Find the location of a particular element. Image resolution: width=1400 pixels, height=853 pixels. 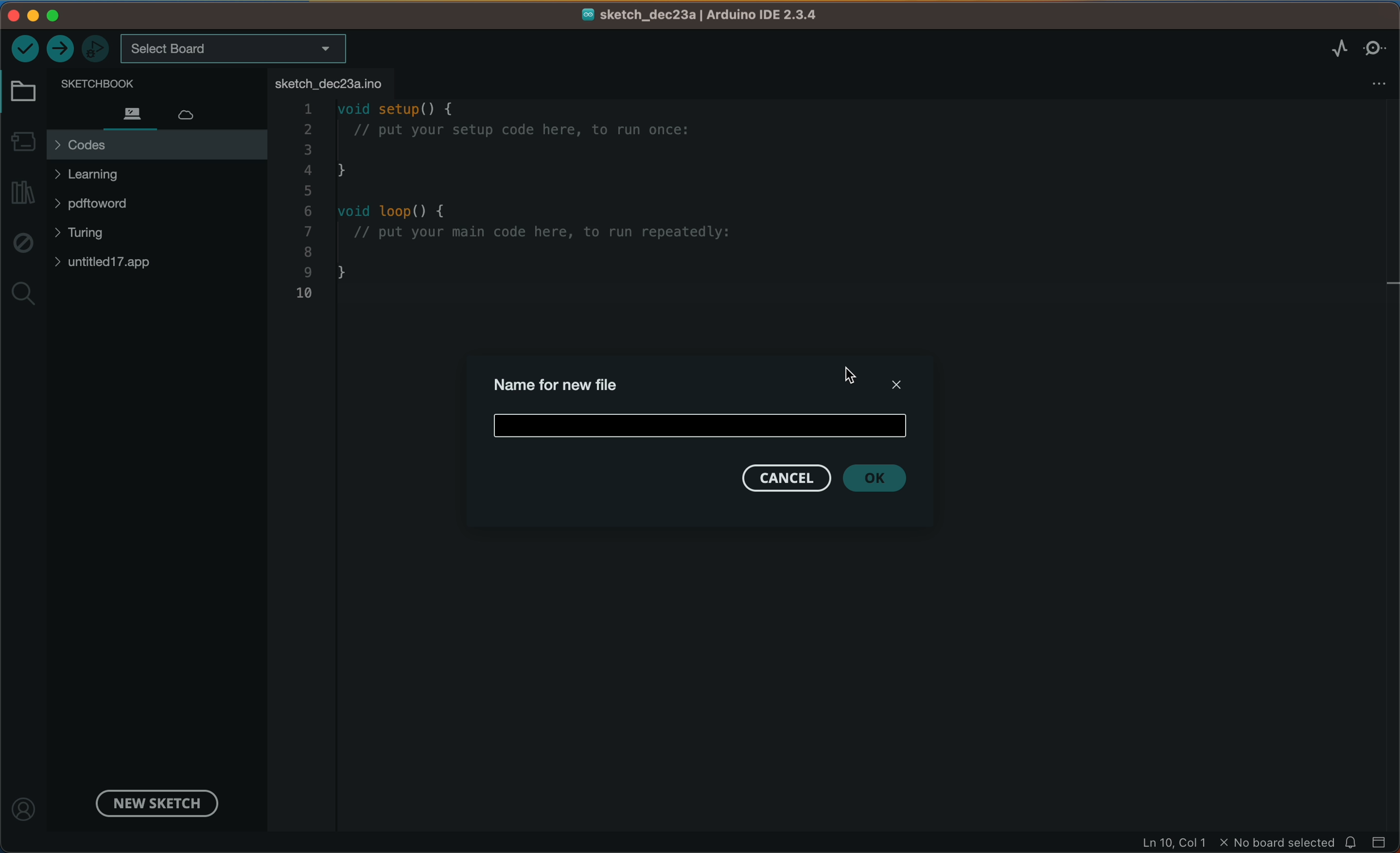

cancel is located at coordinates (784, 478).